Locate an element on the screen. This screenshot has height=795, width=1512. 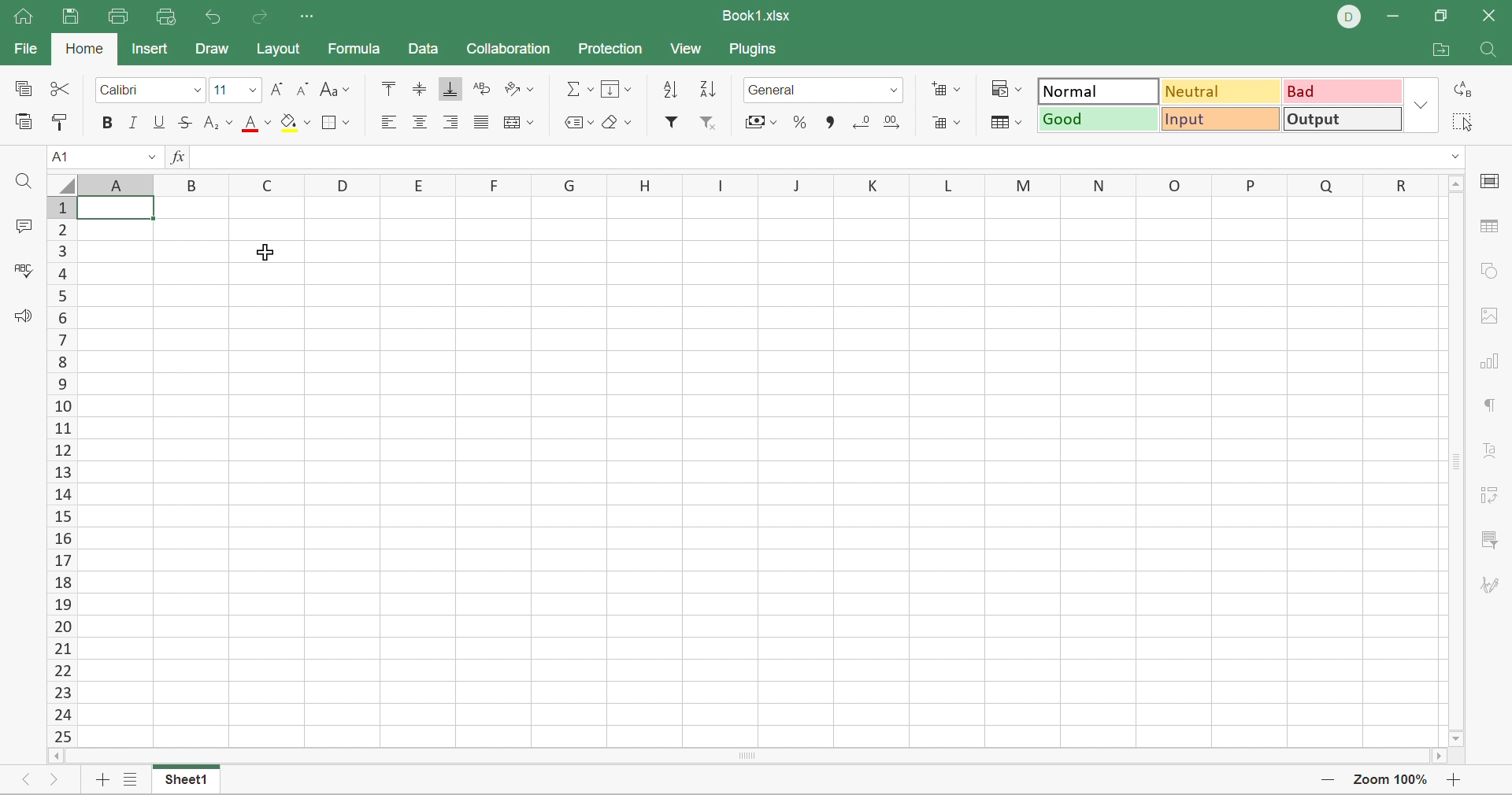
Save is located at coordinates (73, 17).